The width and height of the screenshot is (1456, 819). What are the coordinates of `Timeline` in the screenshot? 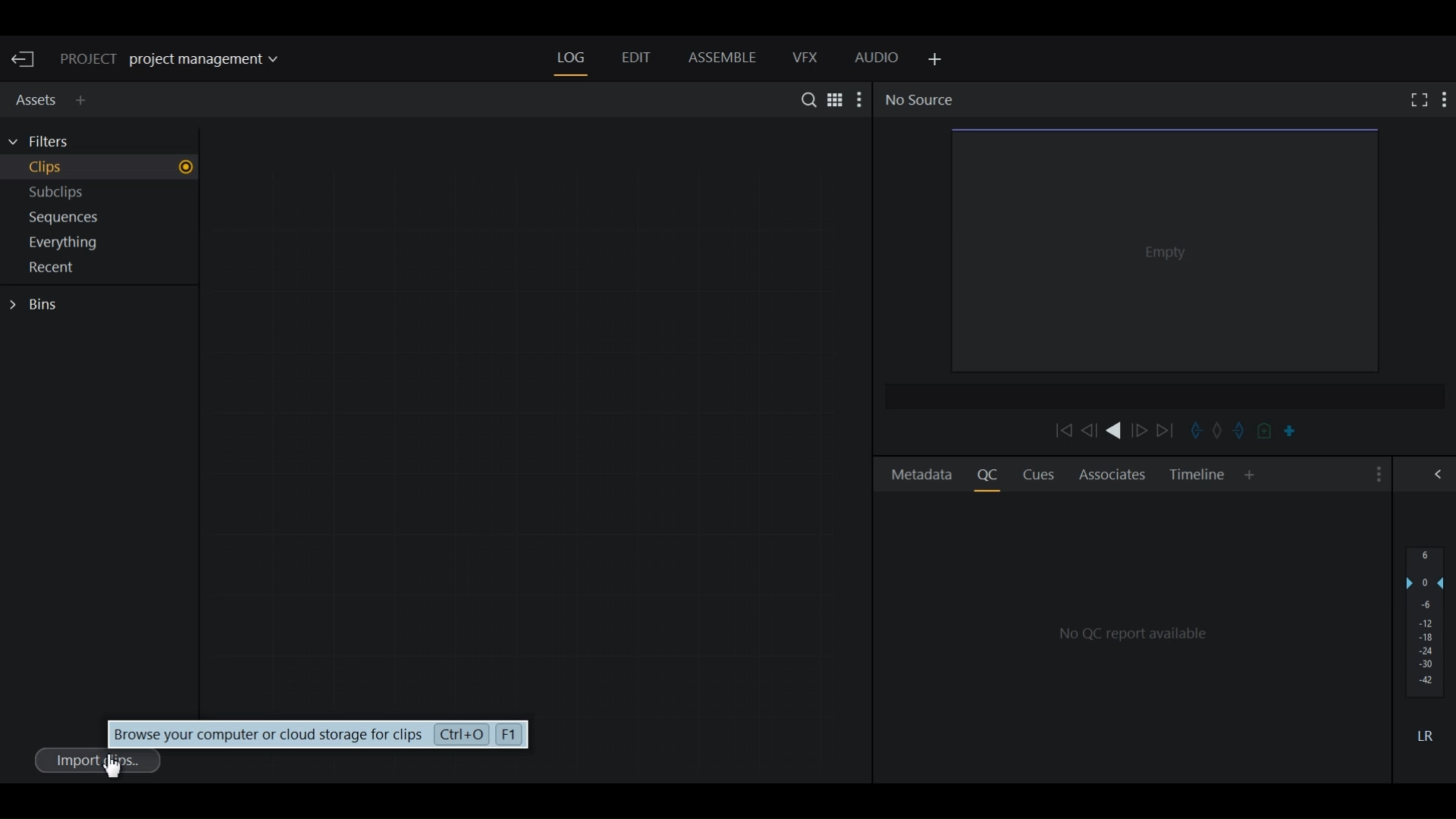 It's located at (1197, 475).